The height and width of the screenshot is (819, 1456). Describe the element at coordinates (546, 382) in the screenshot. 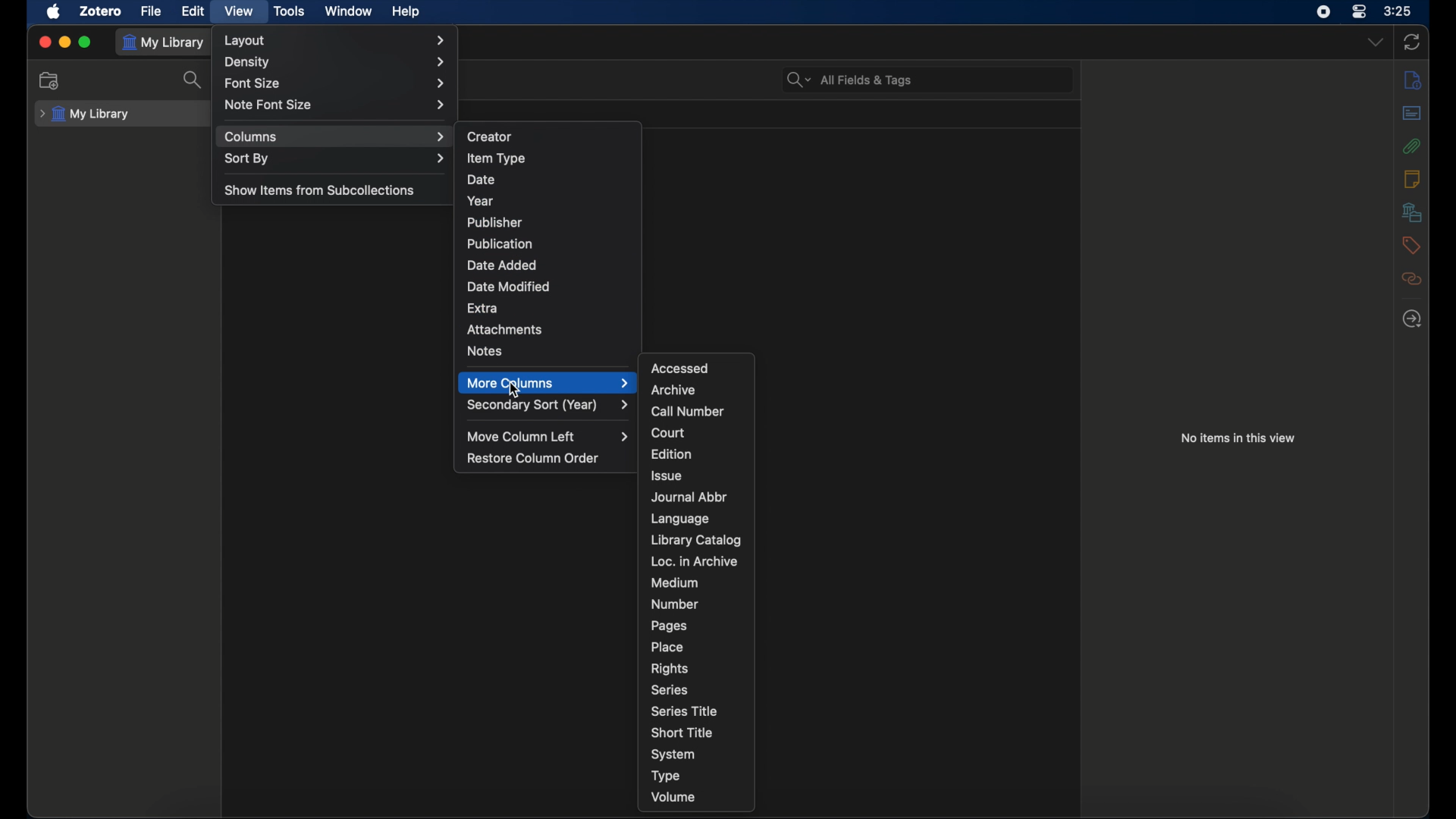

I see `more columns` at that location.